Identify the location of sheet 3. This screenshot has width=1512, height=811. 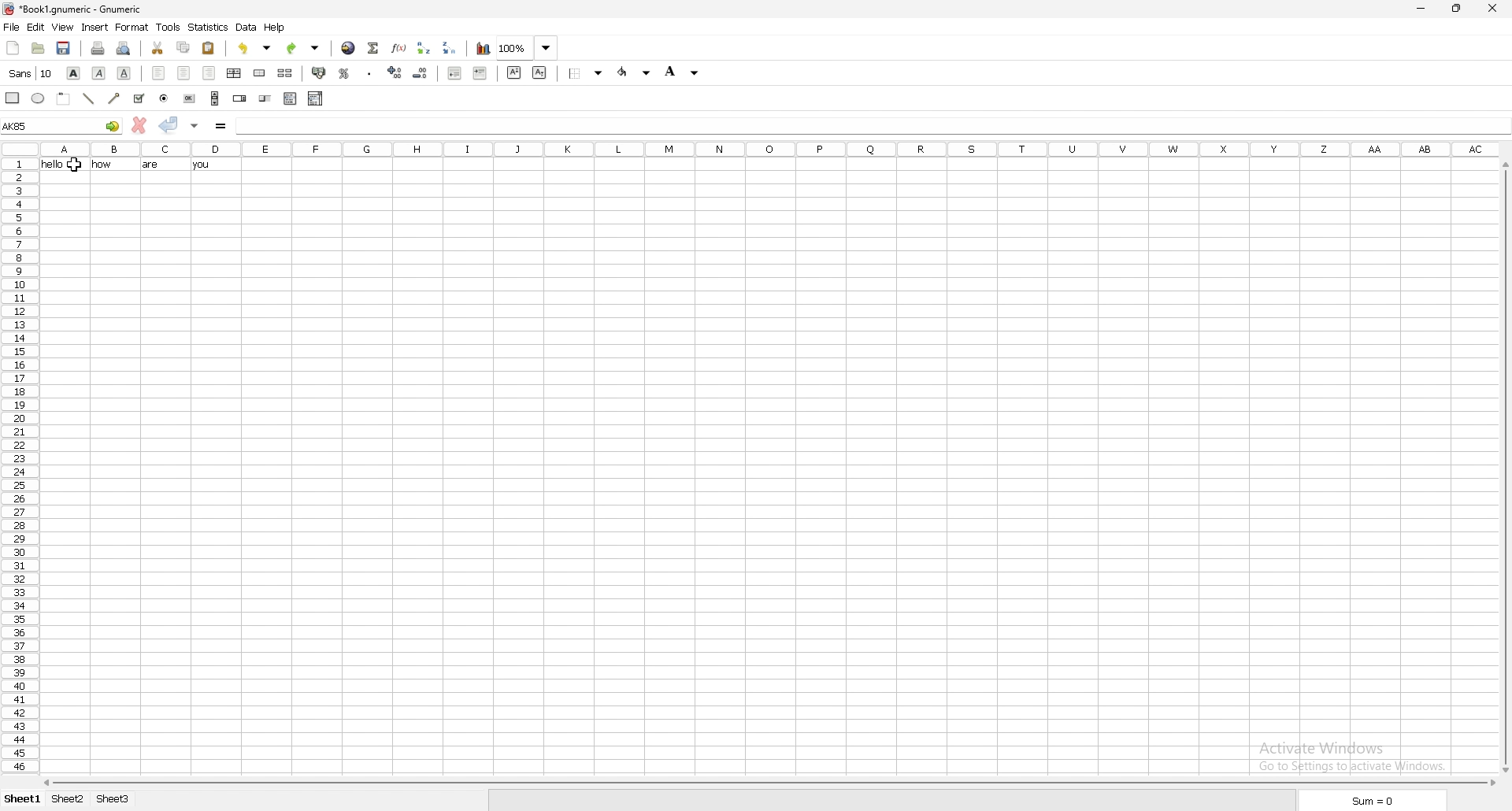
(114, 799).